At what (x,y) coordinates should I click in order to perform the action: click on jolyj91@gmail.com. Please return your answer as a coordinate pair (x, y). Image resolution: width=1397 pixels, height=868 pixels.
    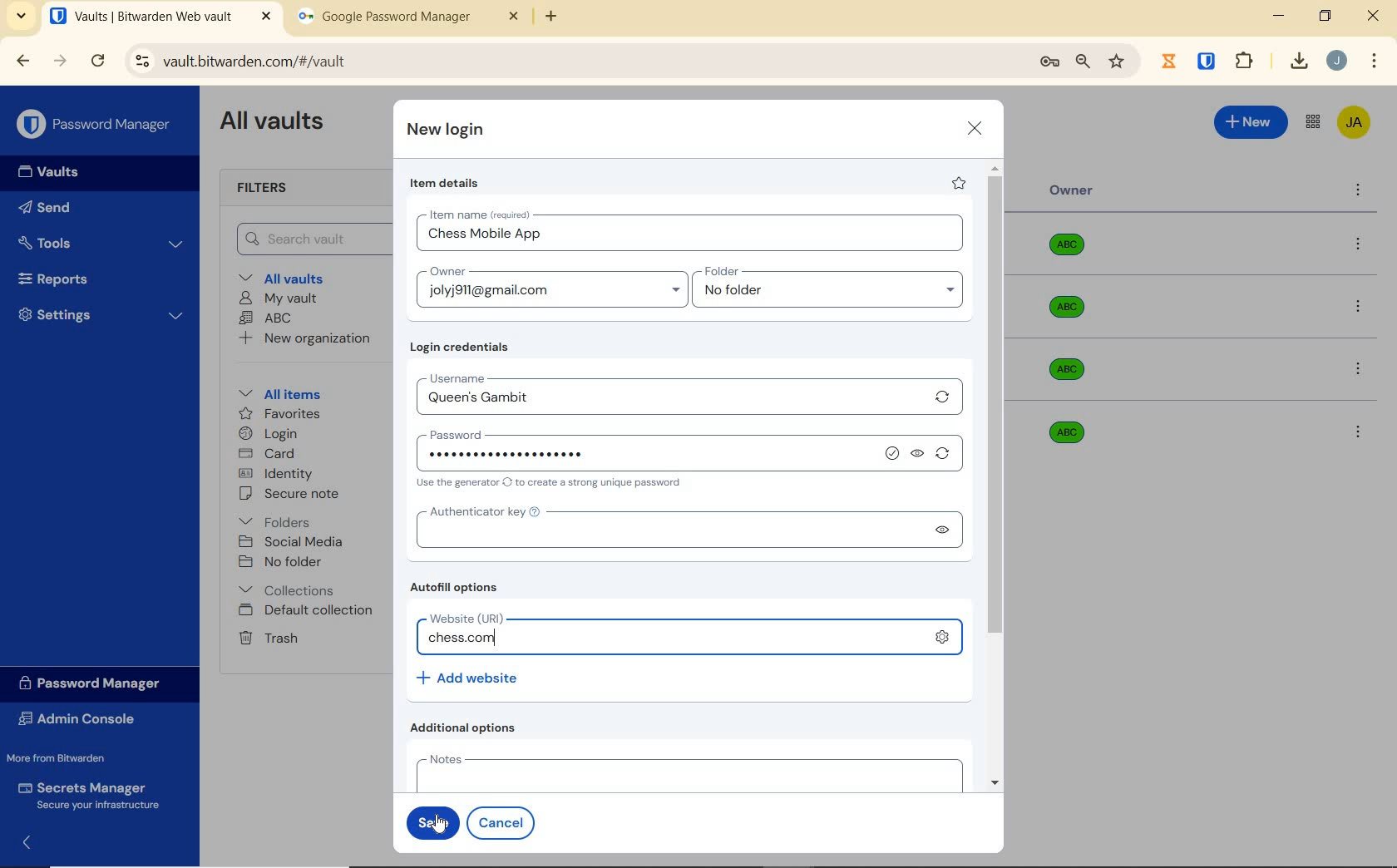
    Looking at the image, I should click on (555, 293).